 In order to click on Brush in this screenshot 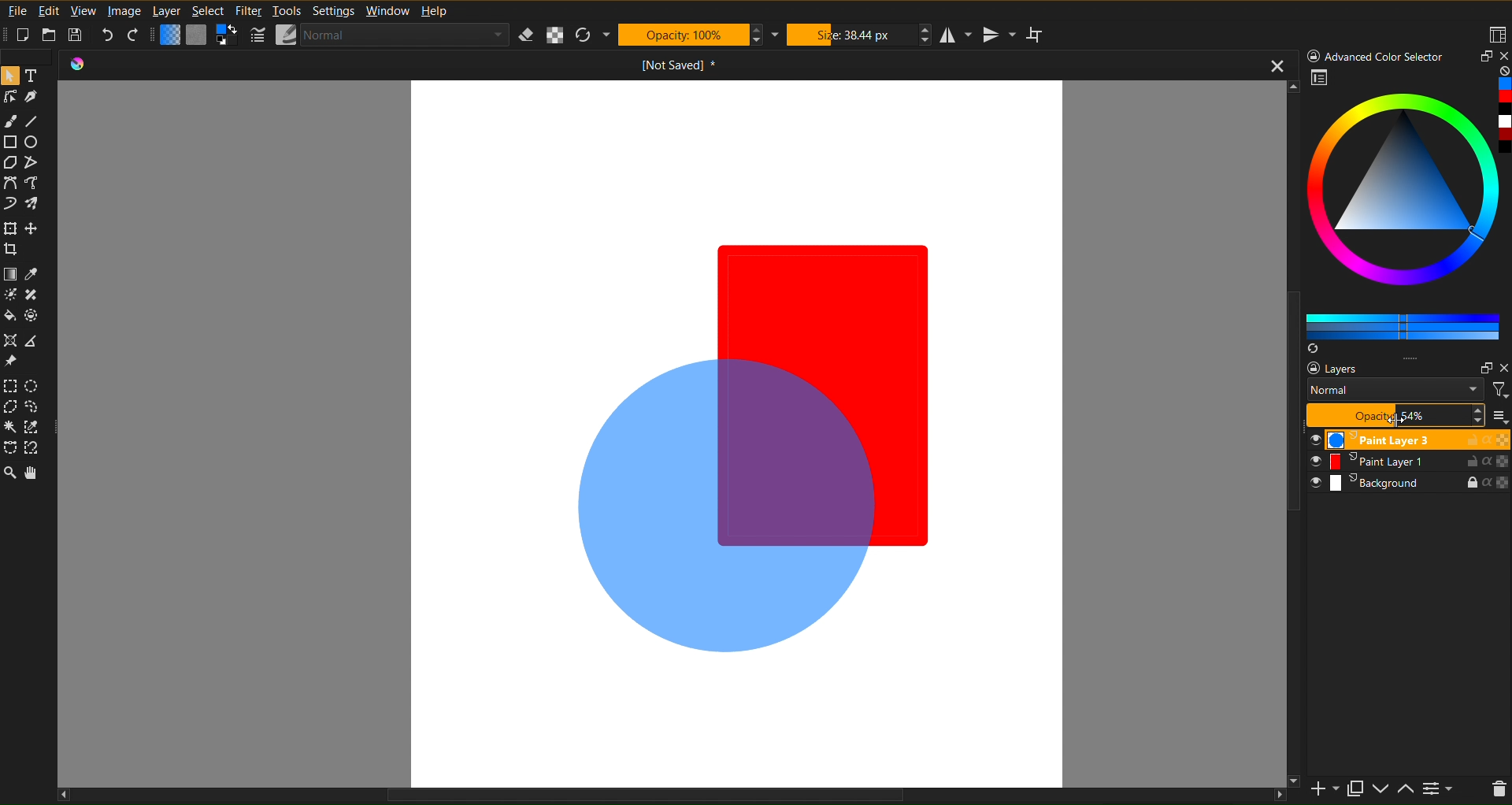, I will do `click(9, 122)`.